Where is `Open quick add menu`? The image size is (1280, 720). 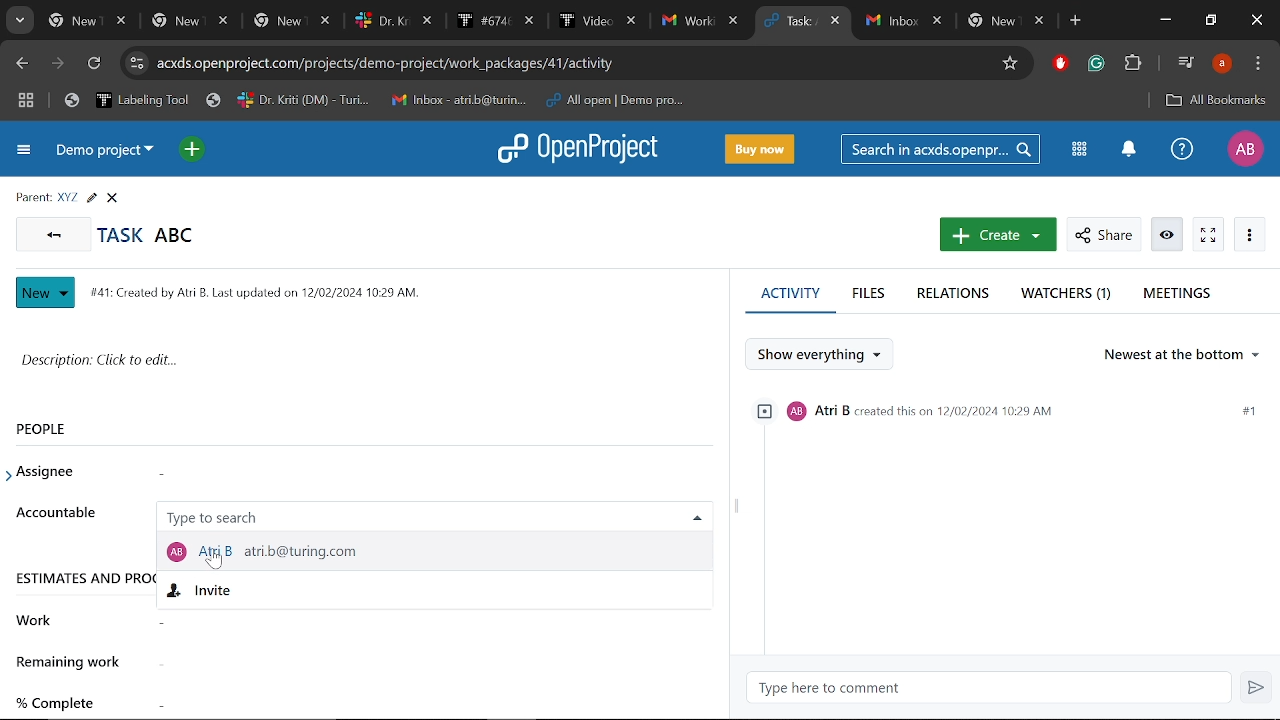 Open quick add menu is located at coordinates (190, 149).